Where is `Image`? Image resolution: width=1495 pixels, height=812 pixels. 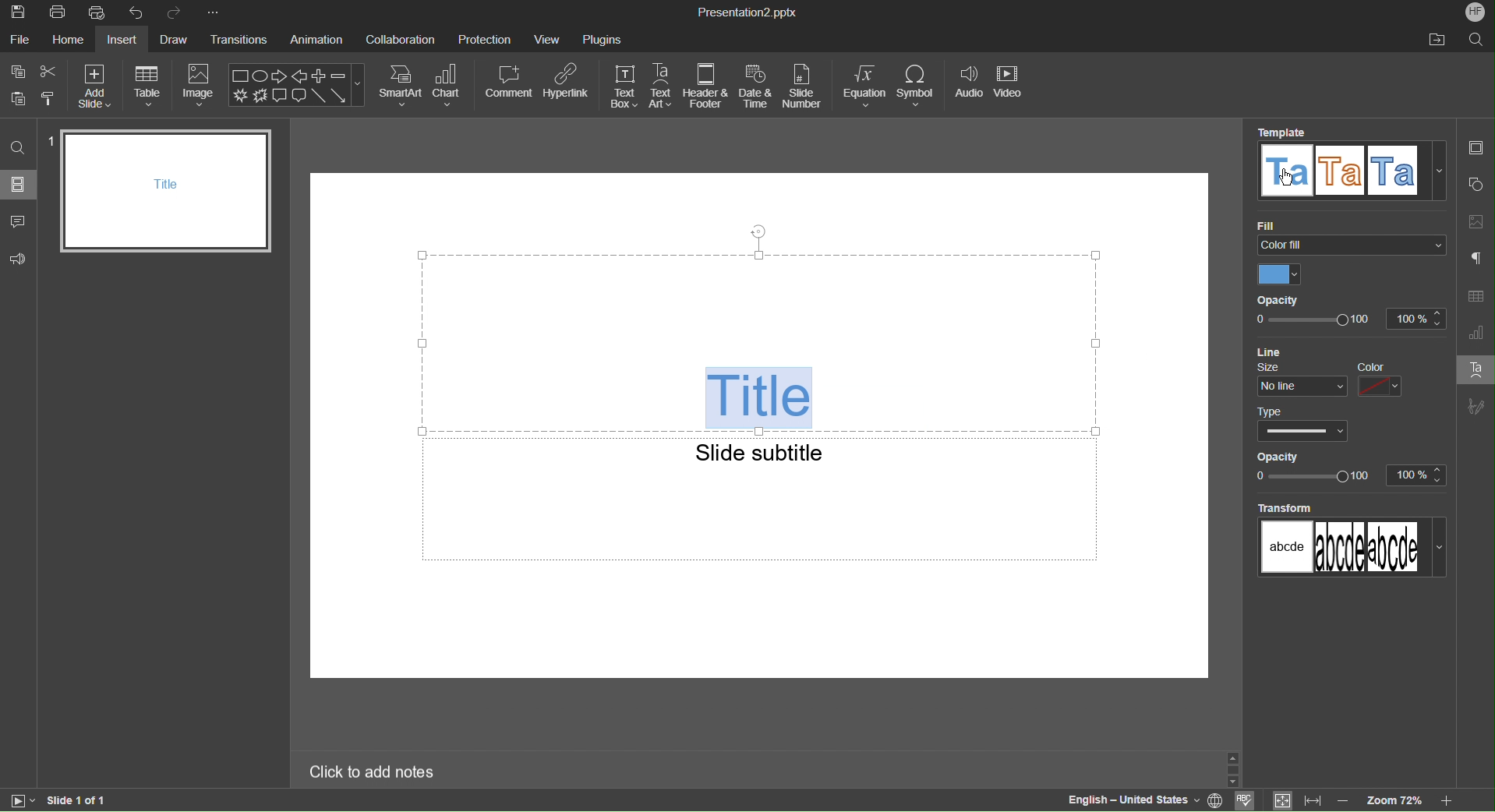 Image is located at coordinates (200, 86).